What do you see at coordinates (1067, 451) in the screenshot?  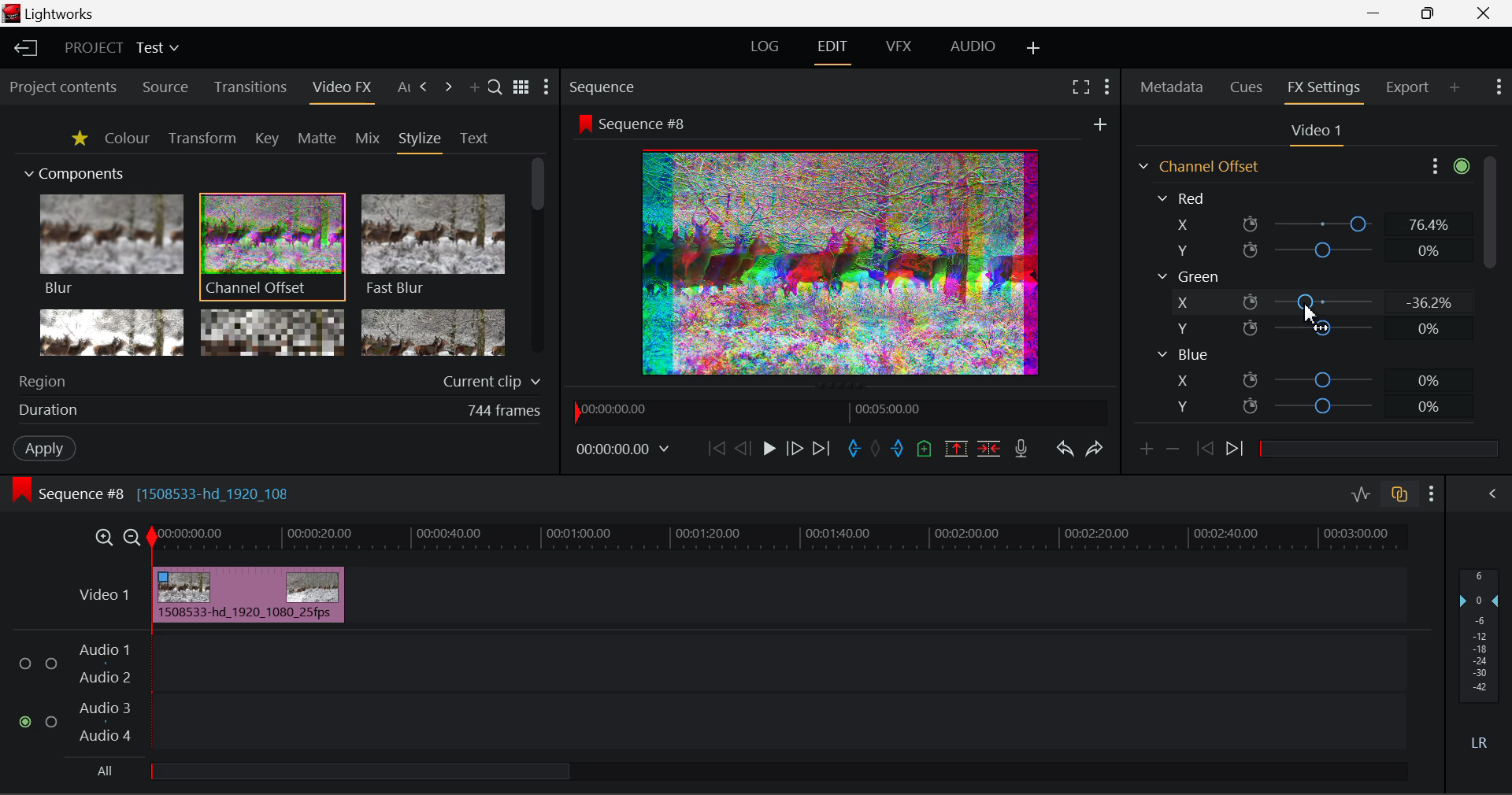 I see `Undo` at bounding box center [1067, 451].